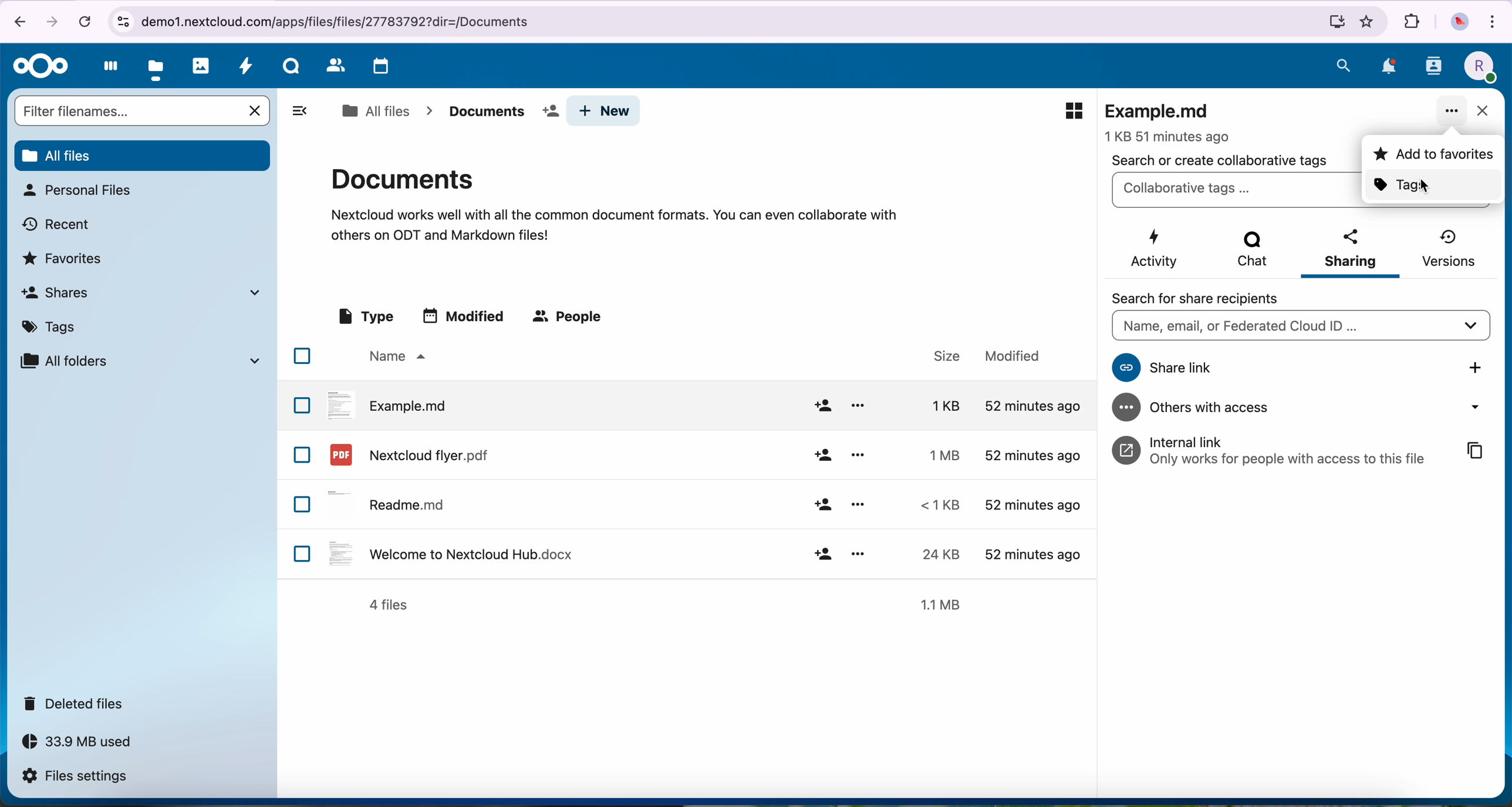 Image resolution: width=1512 pixels, height=807 pixels. What do you see at coordinates (201, 66) in the screenshot?
I see `photos` at bounding box center [201, 66].